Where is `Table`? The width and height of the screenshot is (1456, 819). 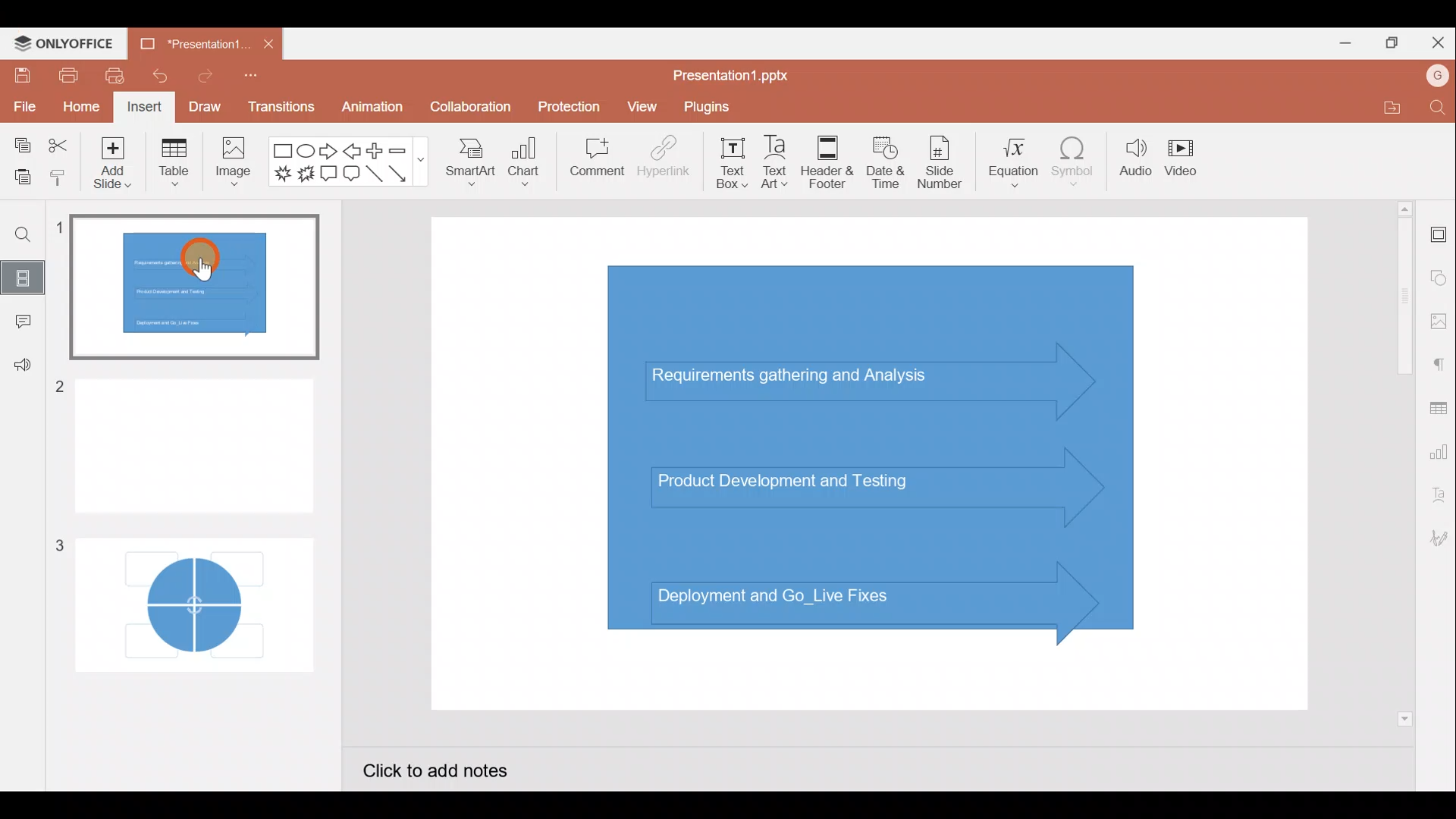
Table is located at coordinates (174, 165).